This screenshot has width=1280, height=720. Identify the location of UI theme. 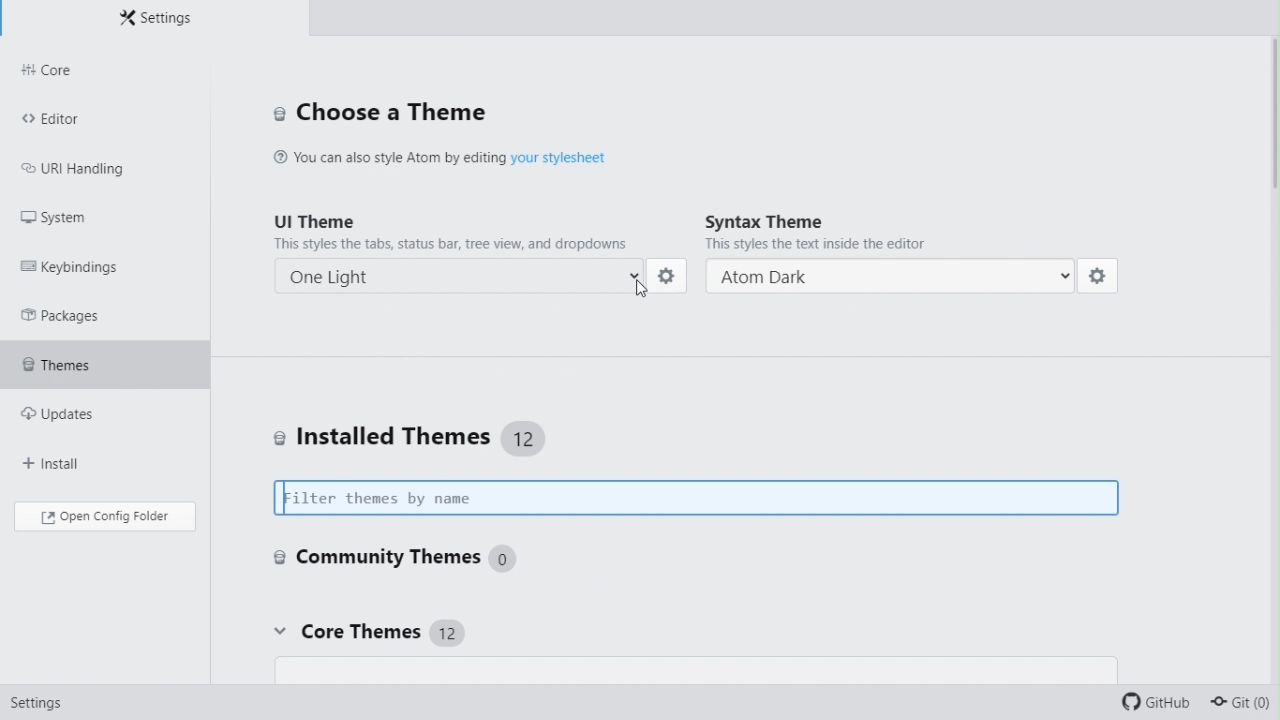
(456, 231).